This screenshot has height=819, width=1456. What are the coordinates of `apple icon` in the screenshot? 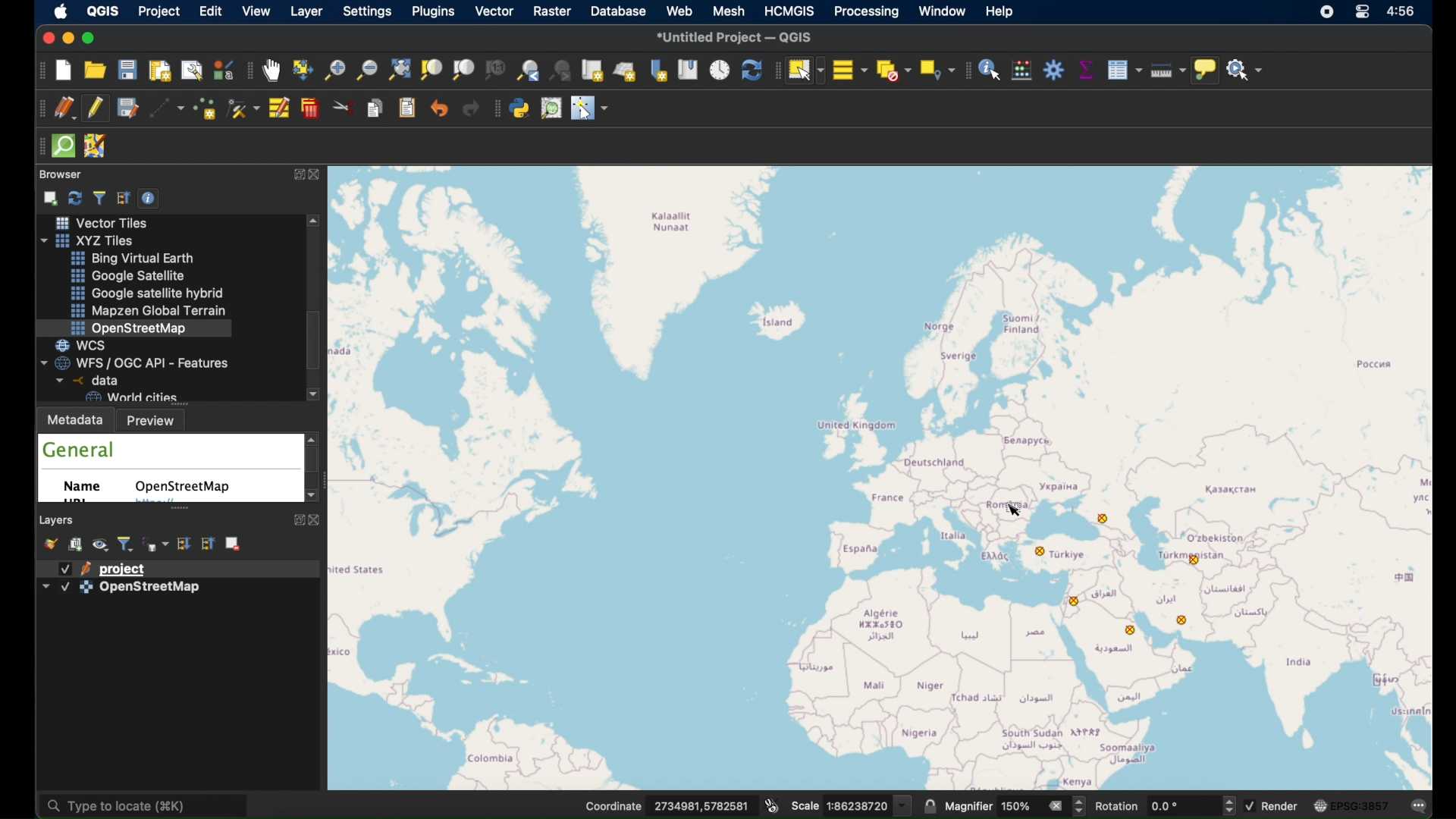 It's located at (64, 13).